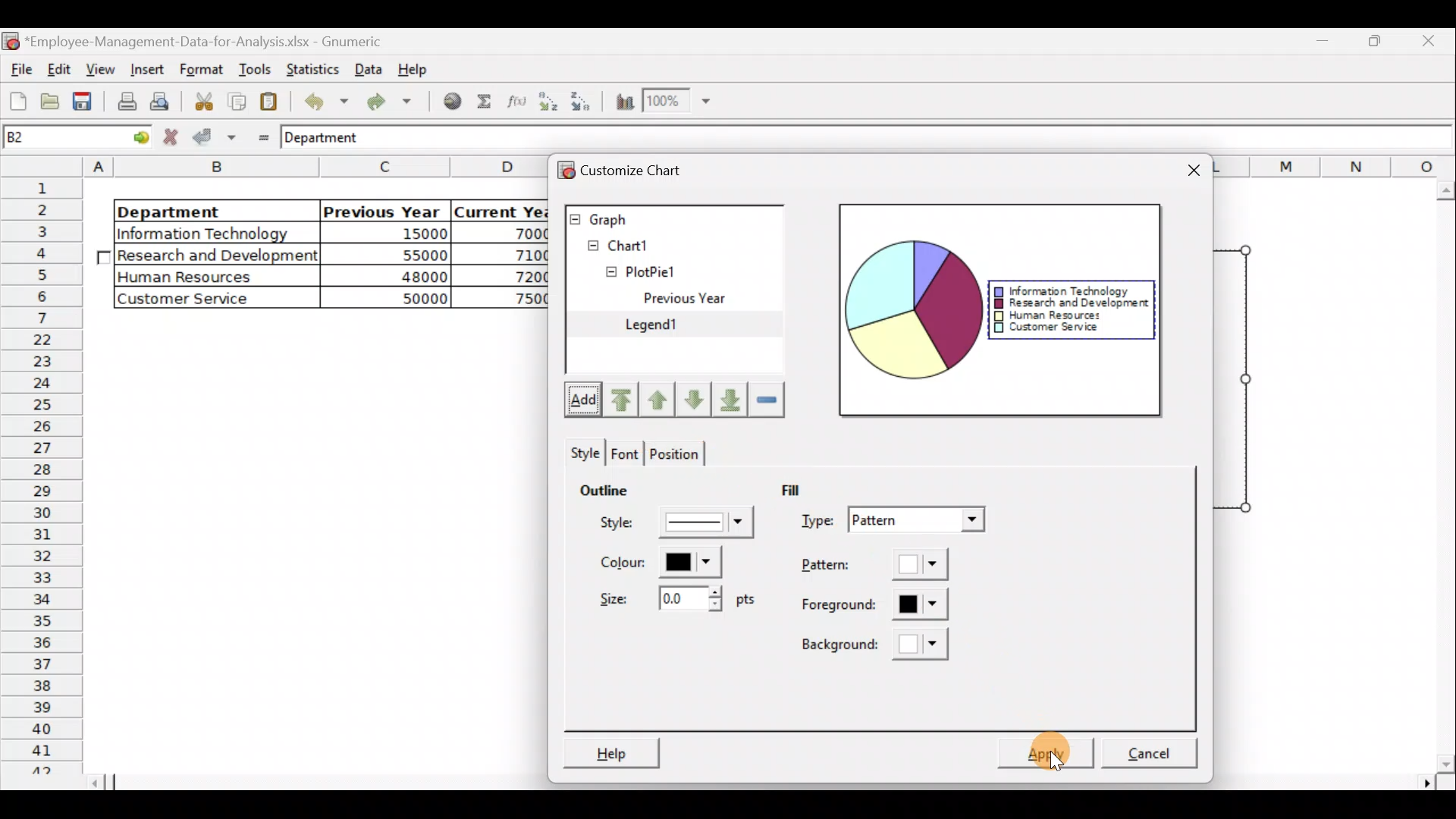  What do you see at coordinates (397, 236) in the screenshot?
I see `15000` at bounding box center [397, 236].